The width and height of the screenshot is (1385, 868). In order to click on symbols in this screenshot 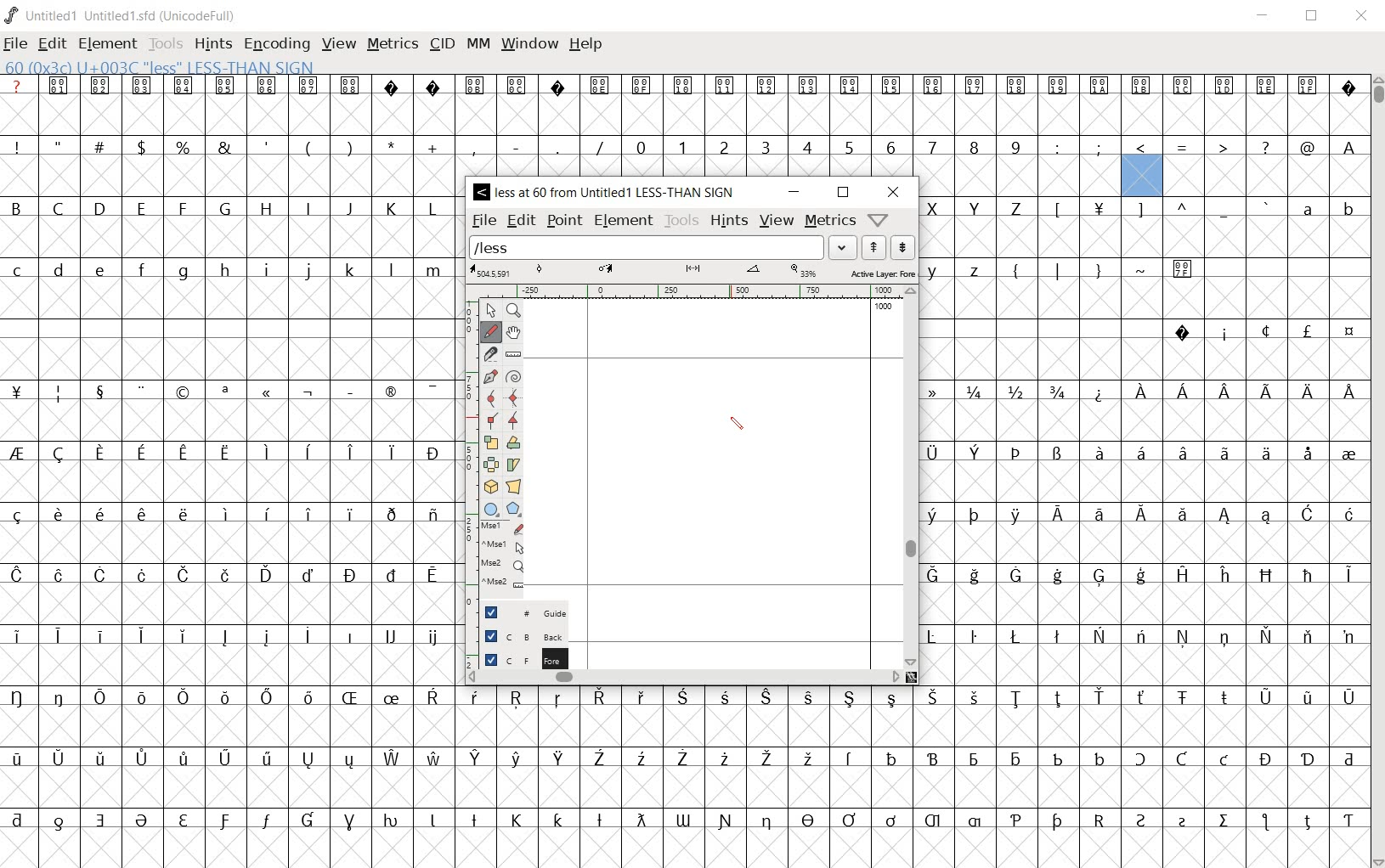, I will do `click(1253, 330)`.